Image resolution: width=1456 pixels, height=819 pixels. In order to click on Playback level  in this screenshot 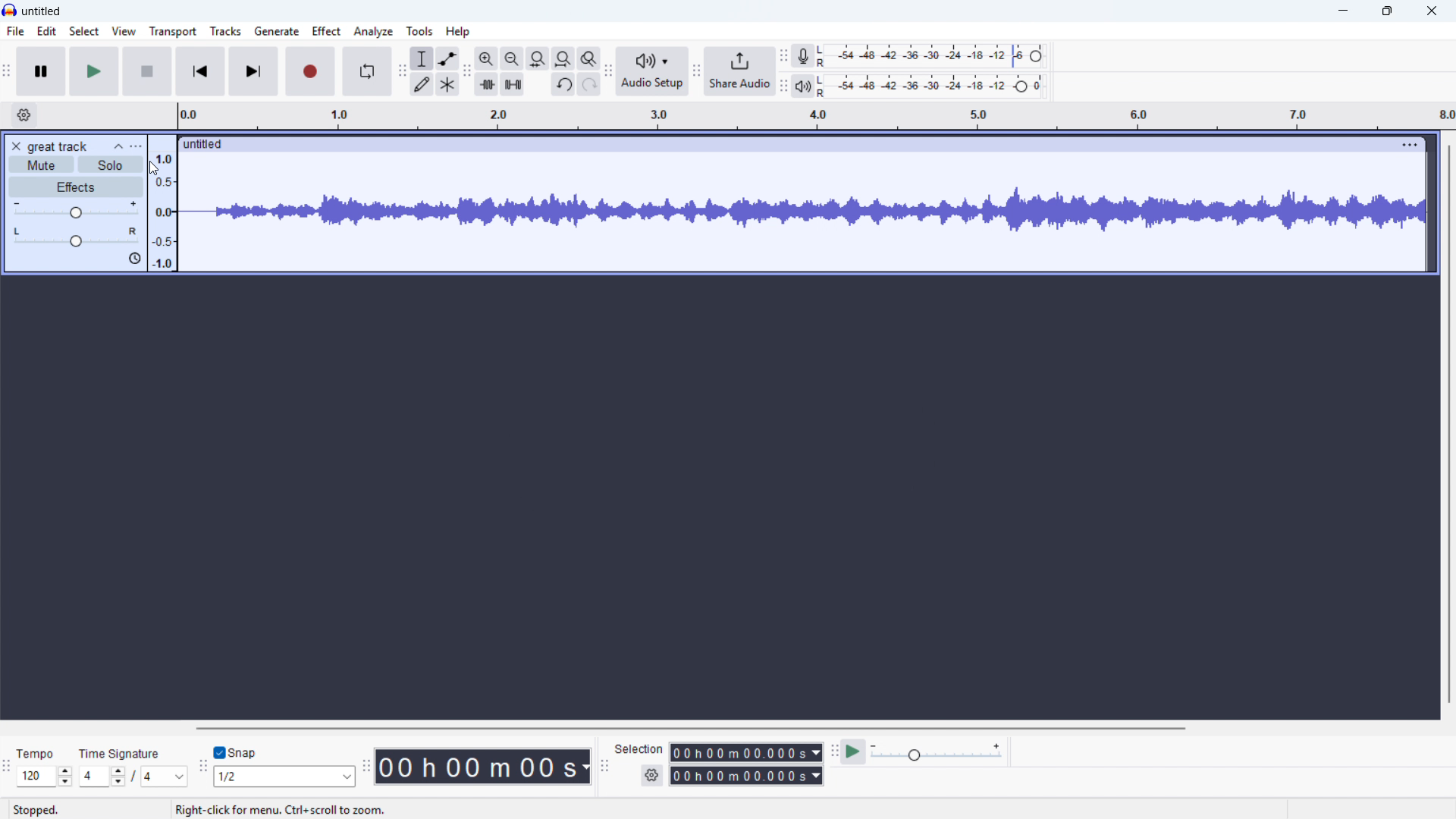, I will do `click(934, 86)`.